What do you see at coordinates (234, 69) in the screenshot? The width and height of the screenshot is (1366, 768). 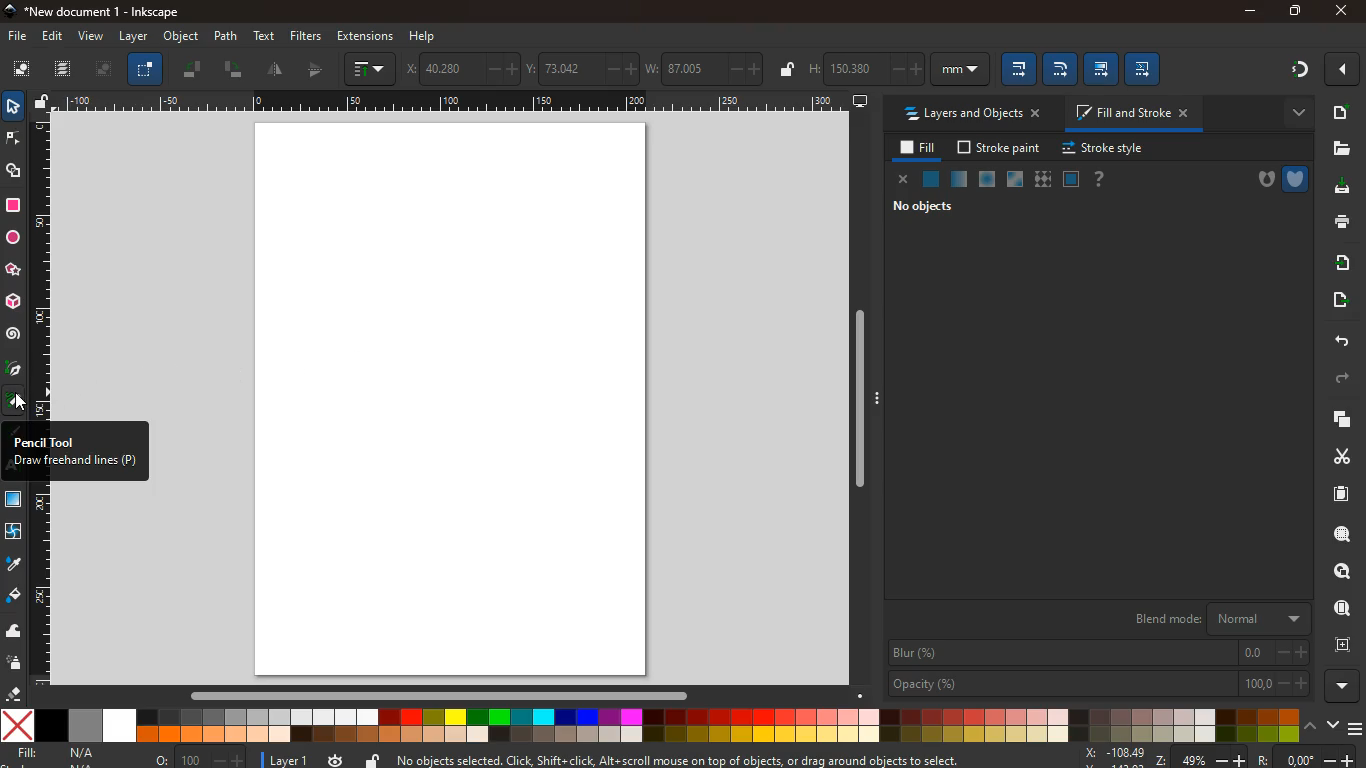 I see `tilt` at bounding box center [234, 69].